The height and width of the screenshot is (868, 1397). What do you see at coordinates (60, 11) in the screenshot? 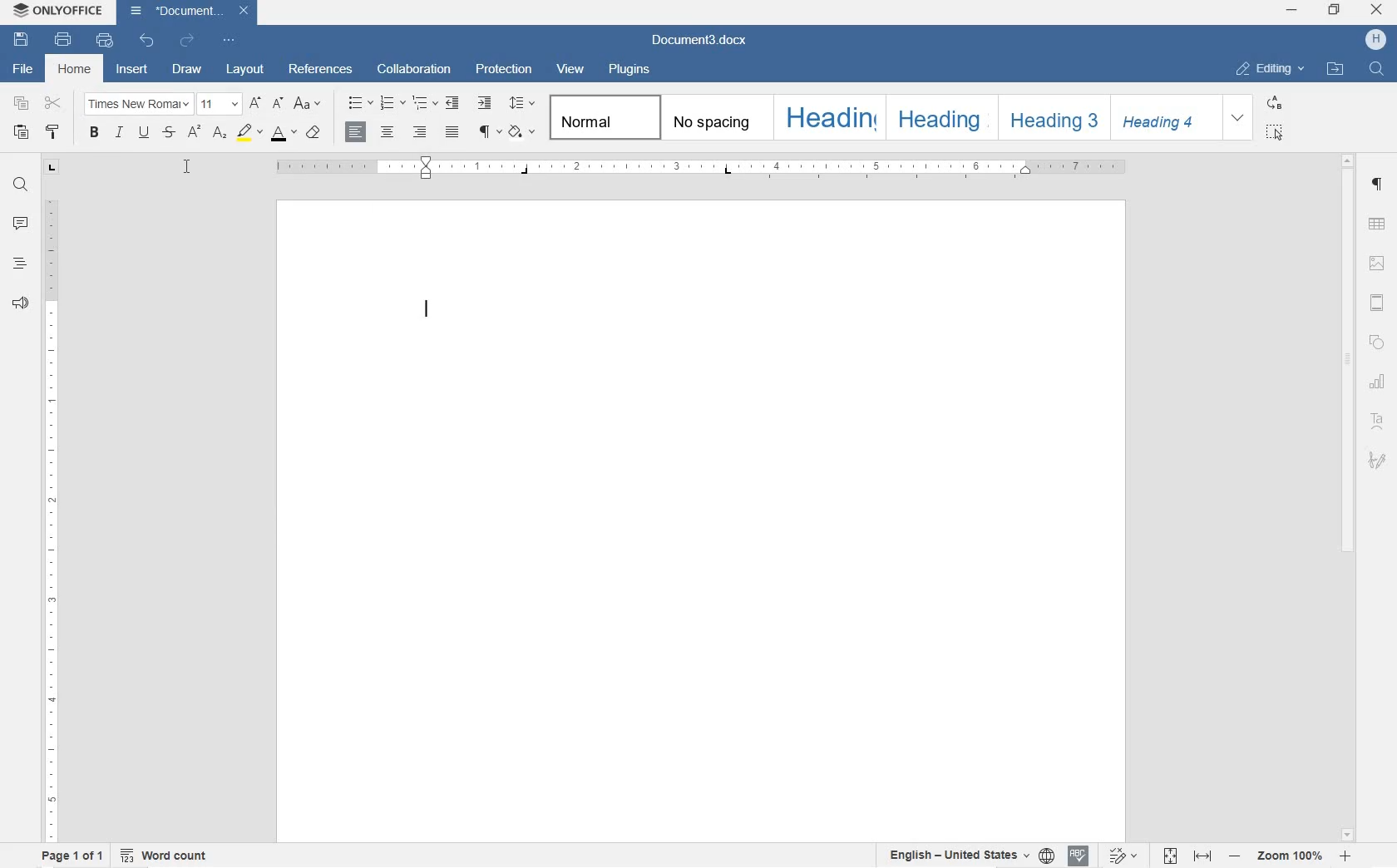
I see `ONLYOFFICE` at bounding box center [60, 11].